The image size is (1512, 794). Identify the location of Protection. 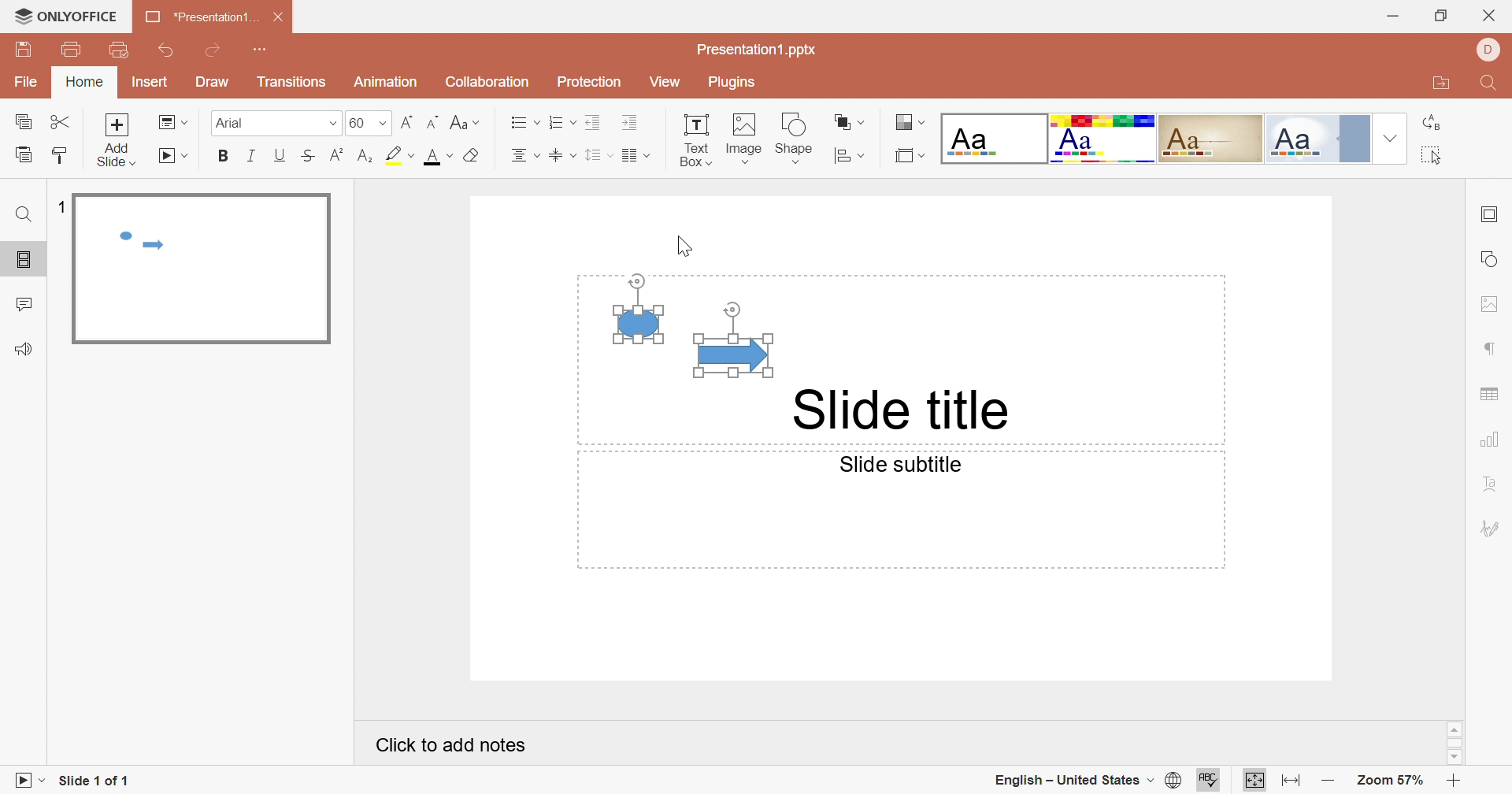
(591, 84).